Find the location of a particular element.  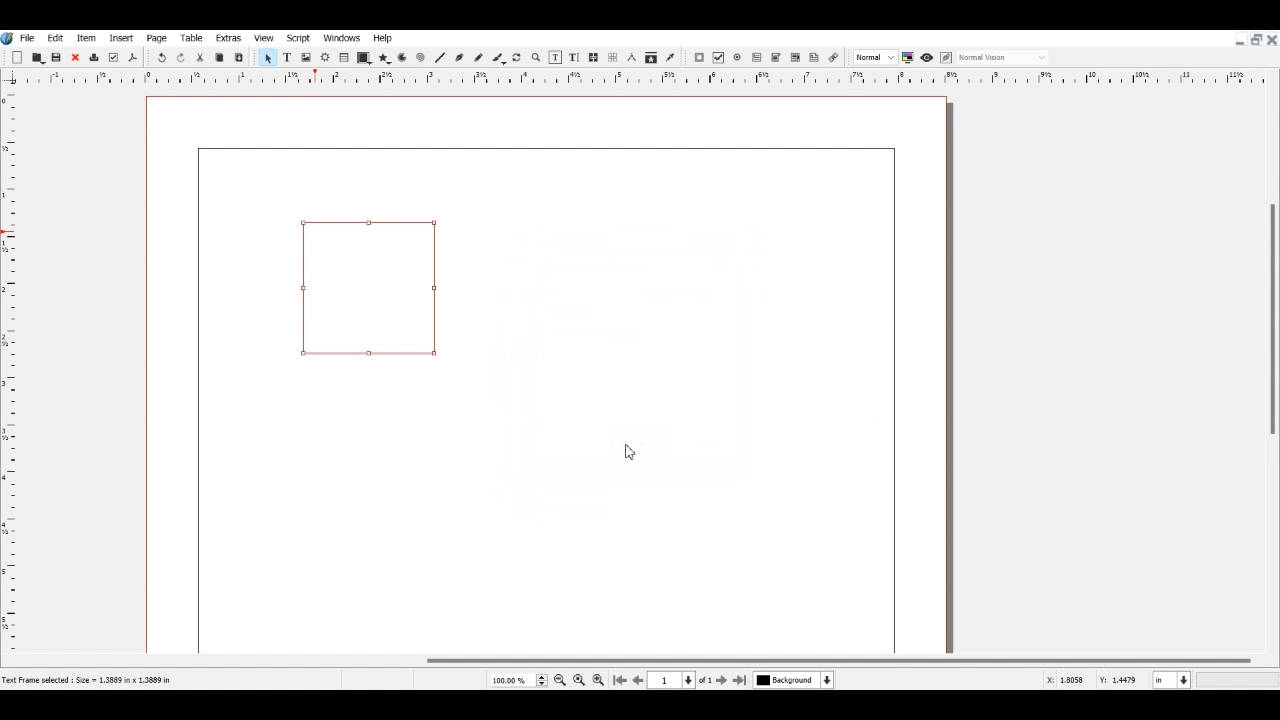

Select Current Page is located at coordinates (518, 680).